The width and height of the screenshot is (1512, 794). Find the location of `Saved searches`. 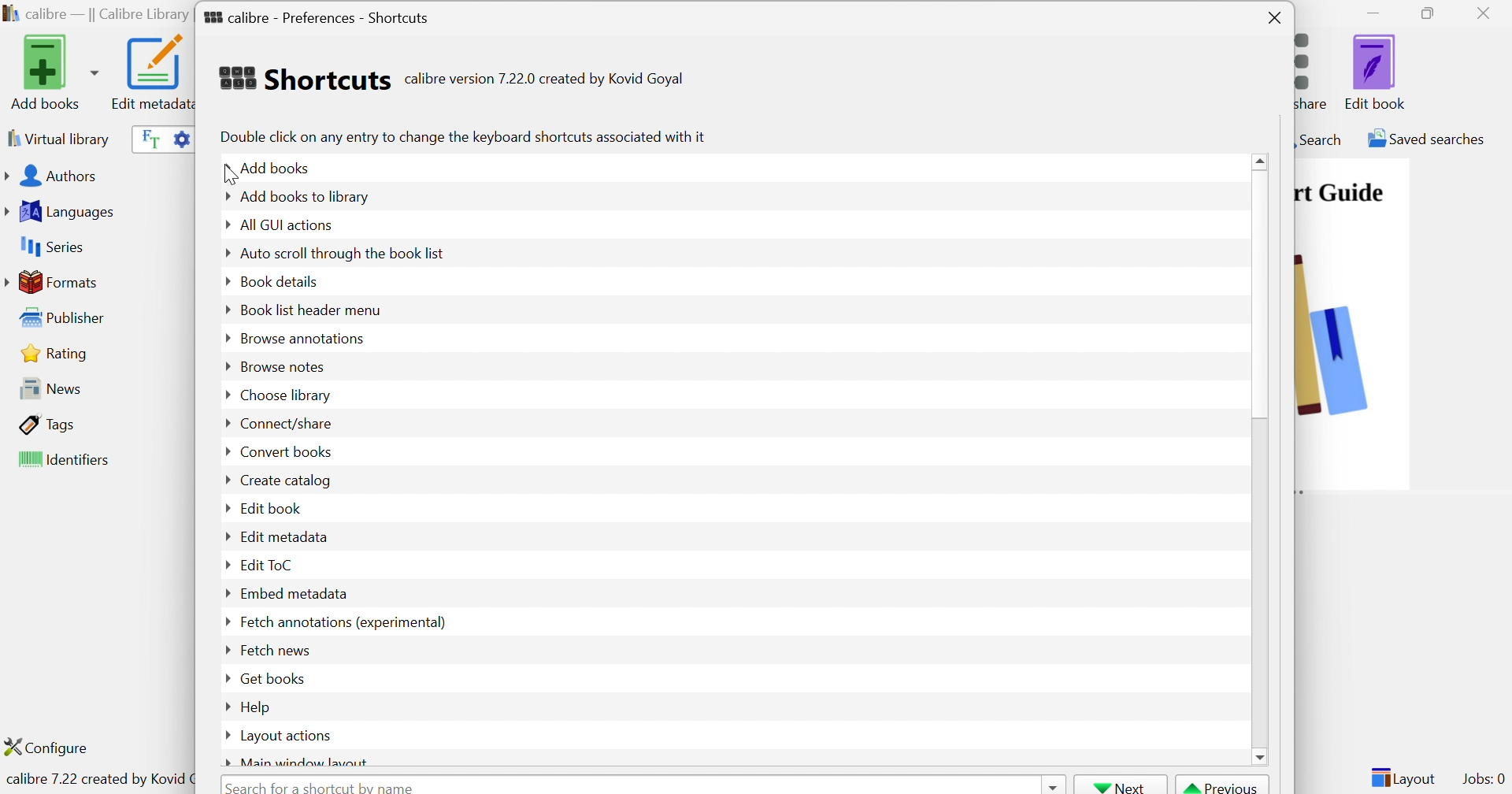

Saved searches is located at coordinates (1425, 139).